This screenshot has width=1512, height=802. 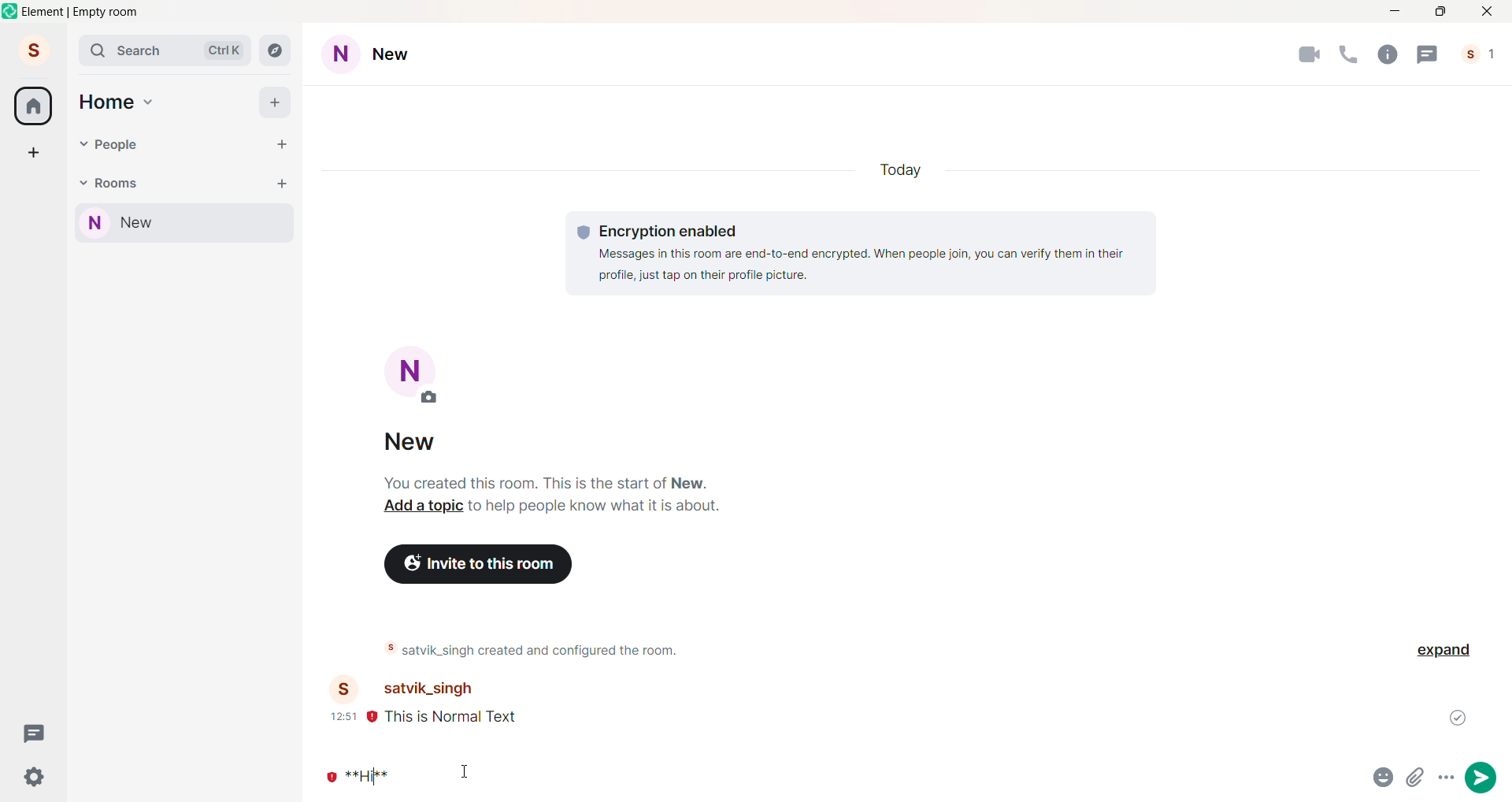 What do you see at coordinates (1447, 651) in the screenshot?
I see `Expand` at bounding box center [1447, 651].